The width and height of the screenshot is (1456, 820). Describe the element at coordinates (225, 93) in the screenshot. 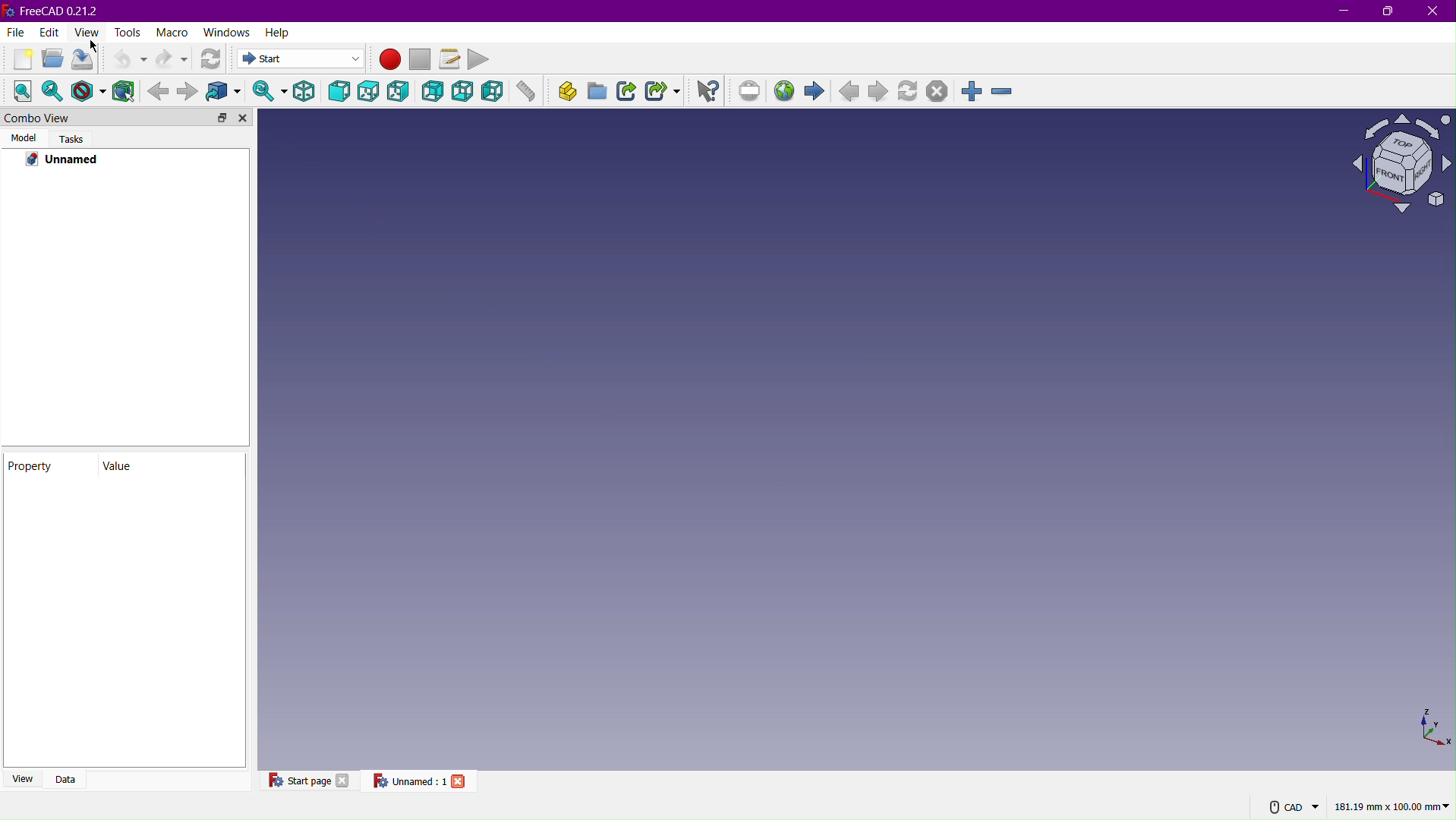

I see `Go to linked object` at that location.